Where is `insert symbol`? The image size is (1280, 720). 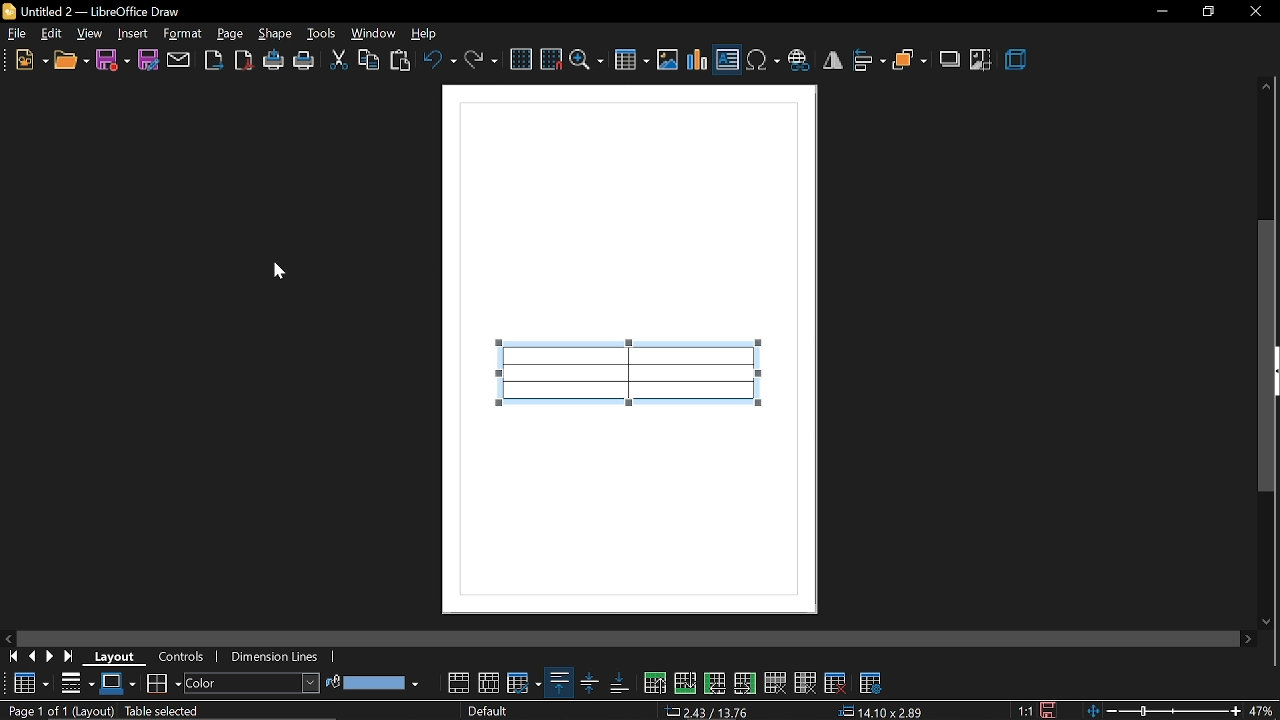
insert symbol is located at coordinates (763, 61).